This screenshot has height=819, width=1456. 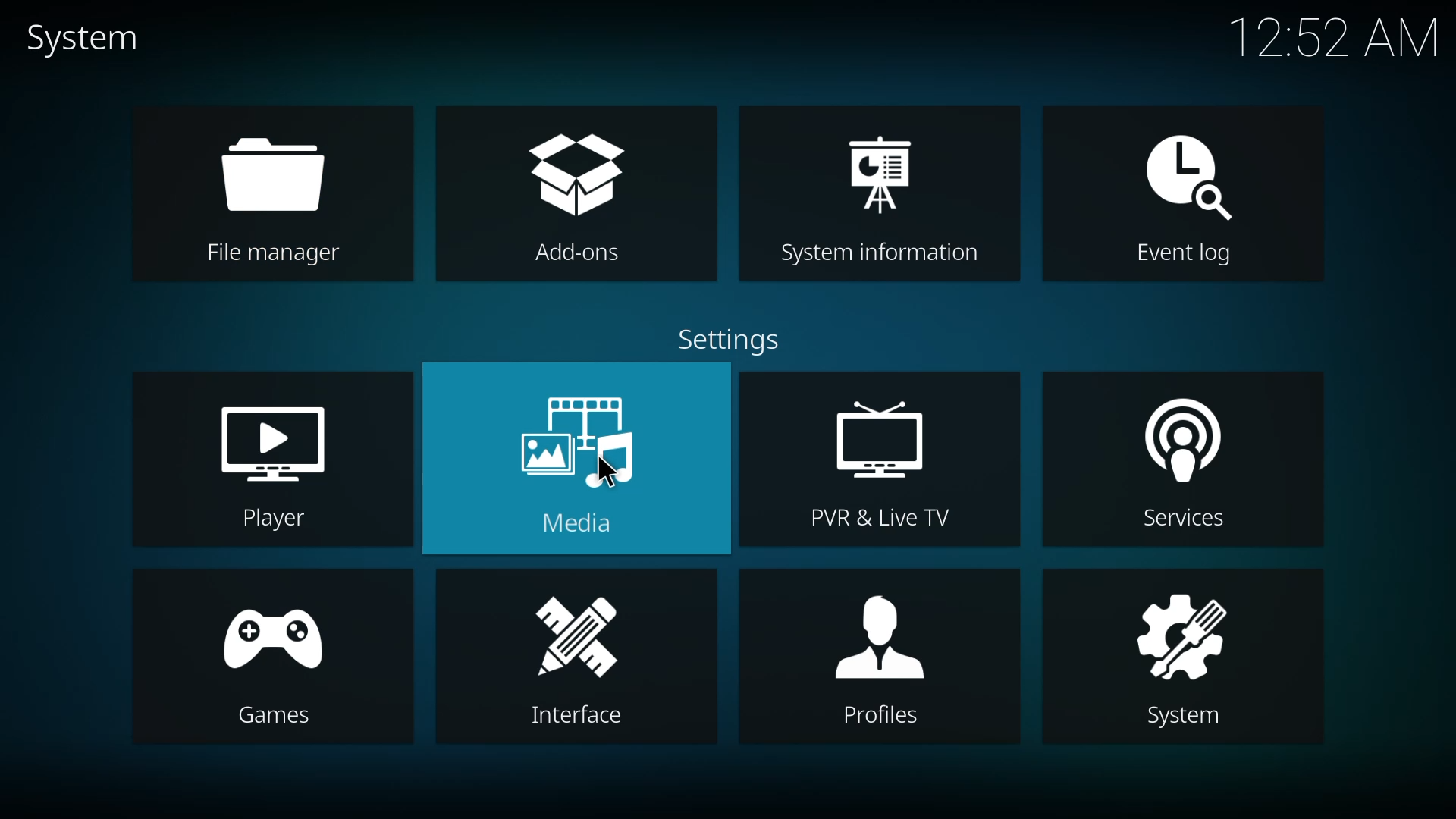 What do you see at coordinates (883, 632) in the screenshot?
I see `profiles` at bounding box center [883, 632].